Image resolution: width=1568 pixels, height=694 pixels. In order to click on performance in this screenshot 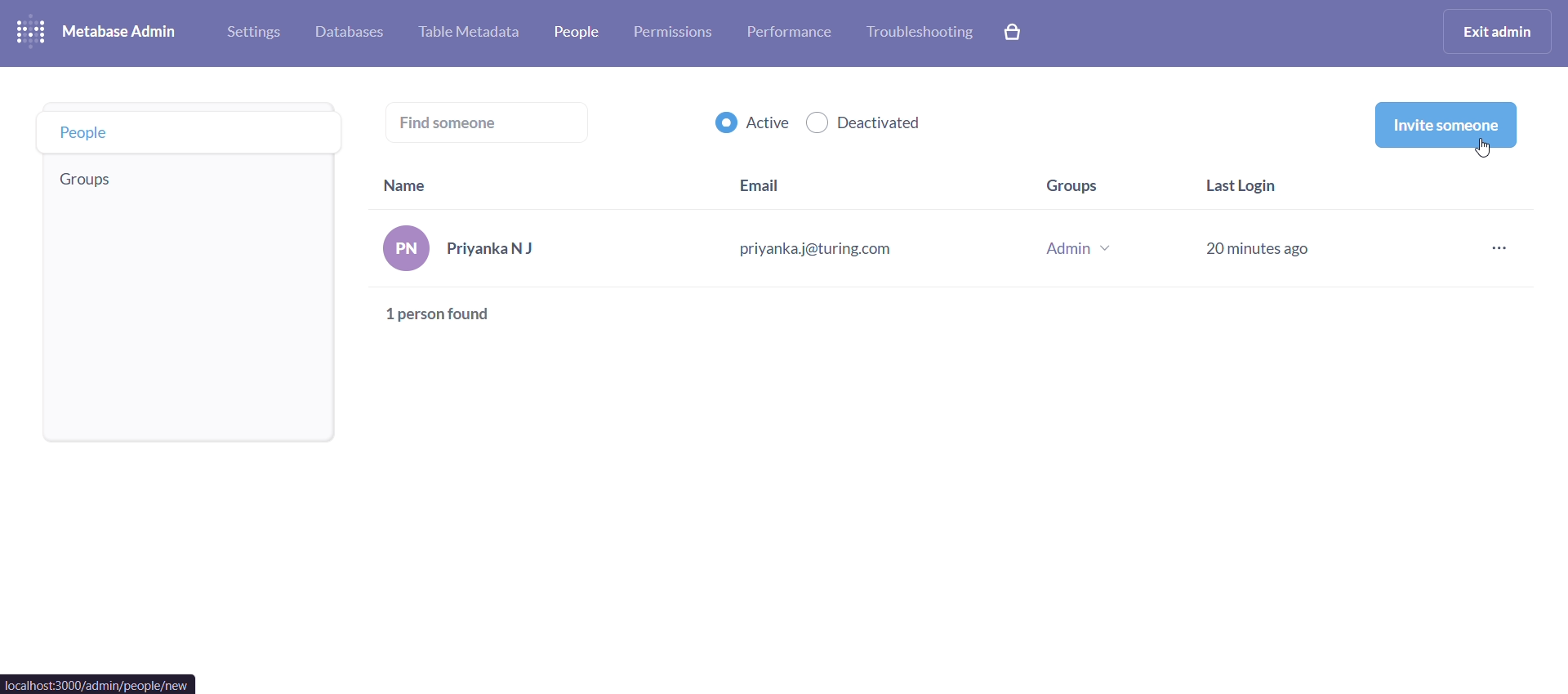, I will do `click(789, 31)`.